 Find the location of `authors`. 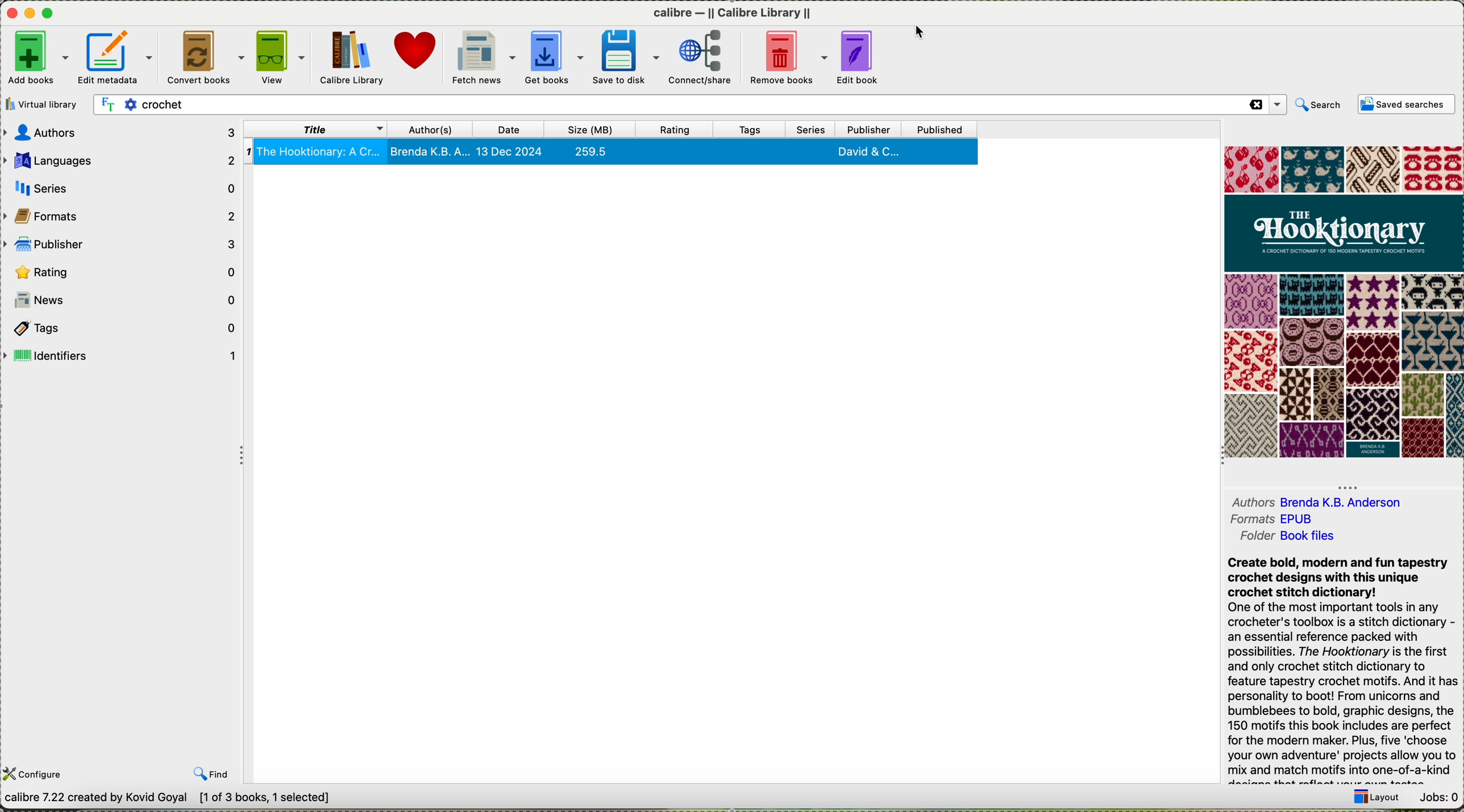

authors is located at coordinates (435, 128).